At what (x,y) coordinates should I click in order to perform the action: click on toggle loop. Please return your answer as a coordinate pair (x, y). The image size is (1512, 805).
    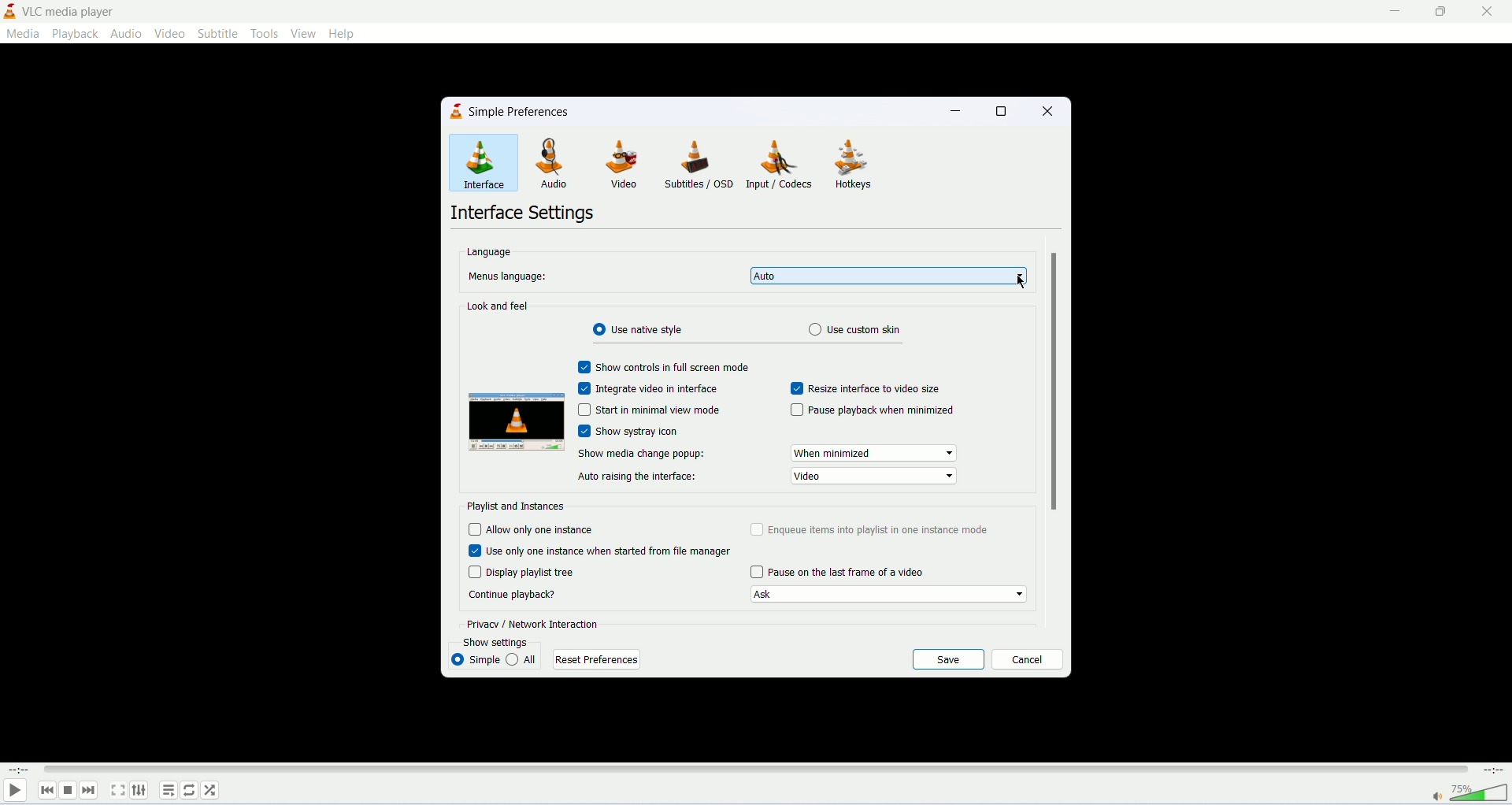
    Looking at the image, I should click on (189, 791).